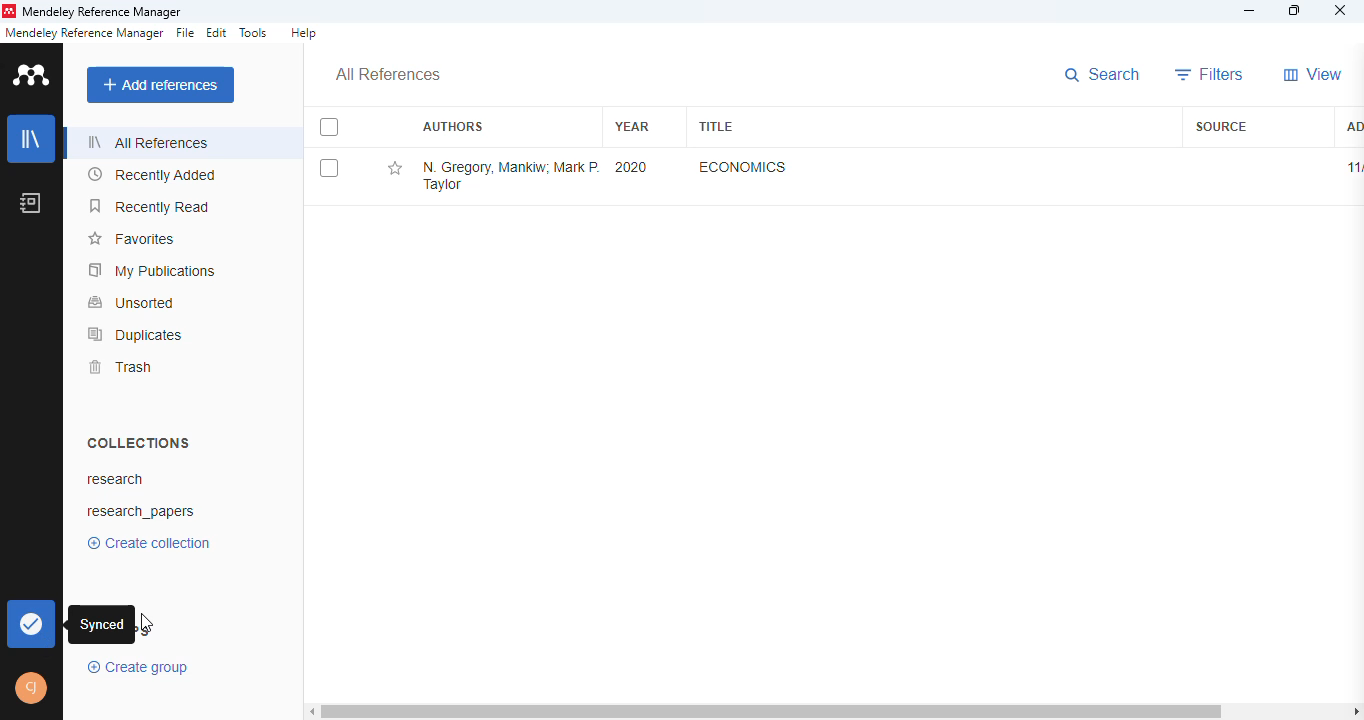 This screenshot has height=720, width=1364. I want to click on research, so click(117, 480).